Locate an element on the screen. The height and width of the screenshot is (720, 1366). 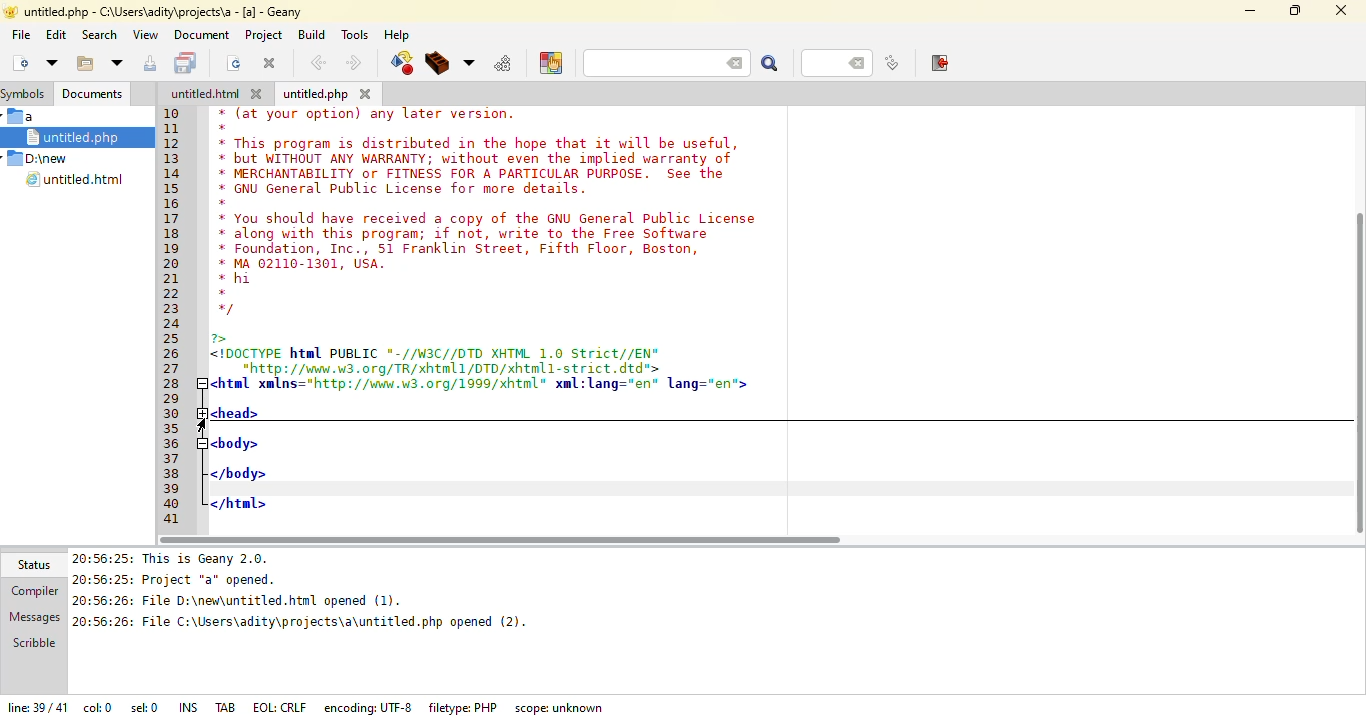
untitled.php is located at coordinates (315, 93).